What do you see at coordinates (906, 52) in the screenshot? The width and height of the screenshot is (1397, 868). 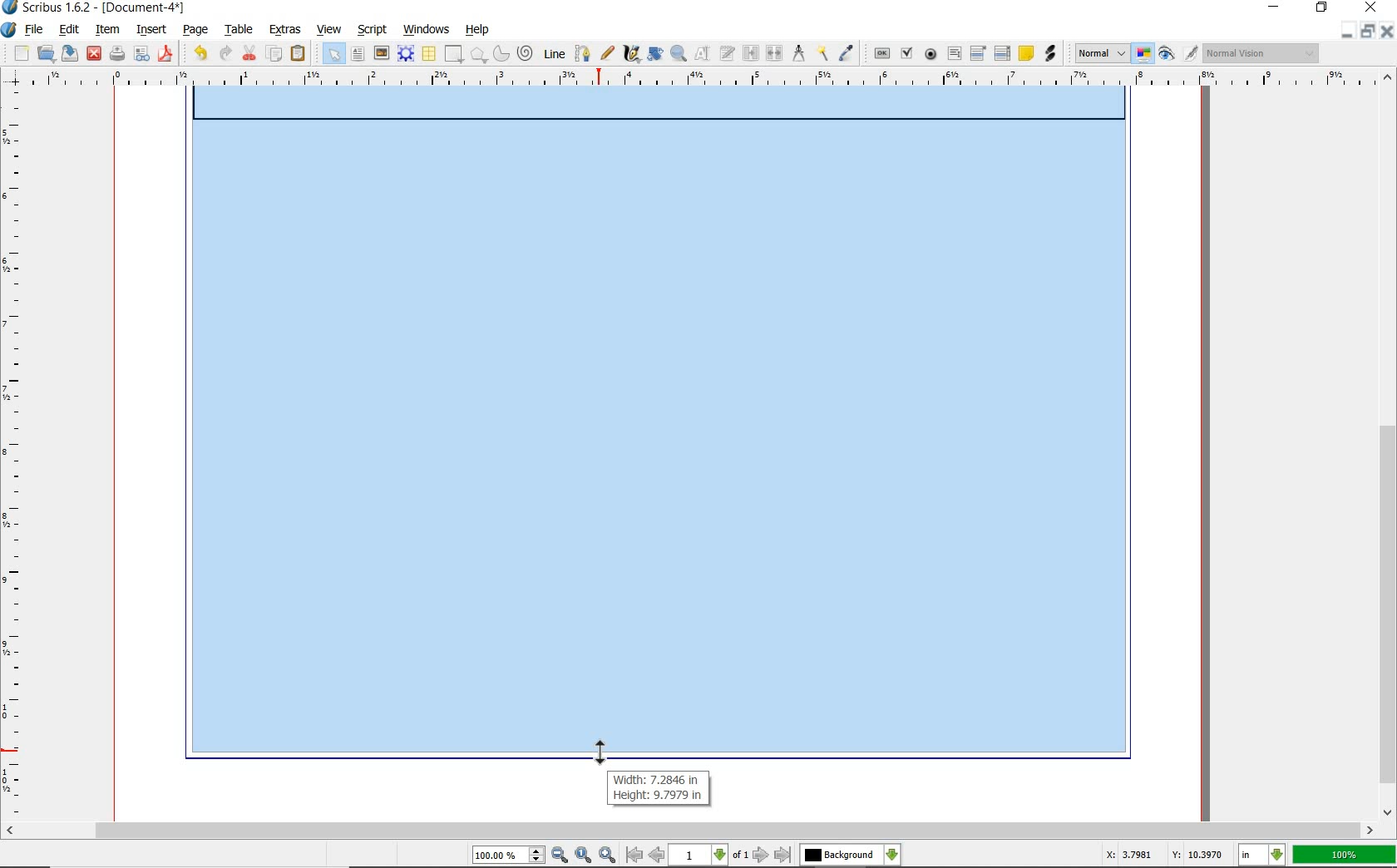 I see `pdf check box` at bounding box center [906, 52].